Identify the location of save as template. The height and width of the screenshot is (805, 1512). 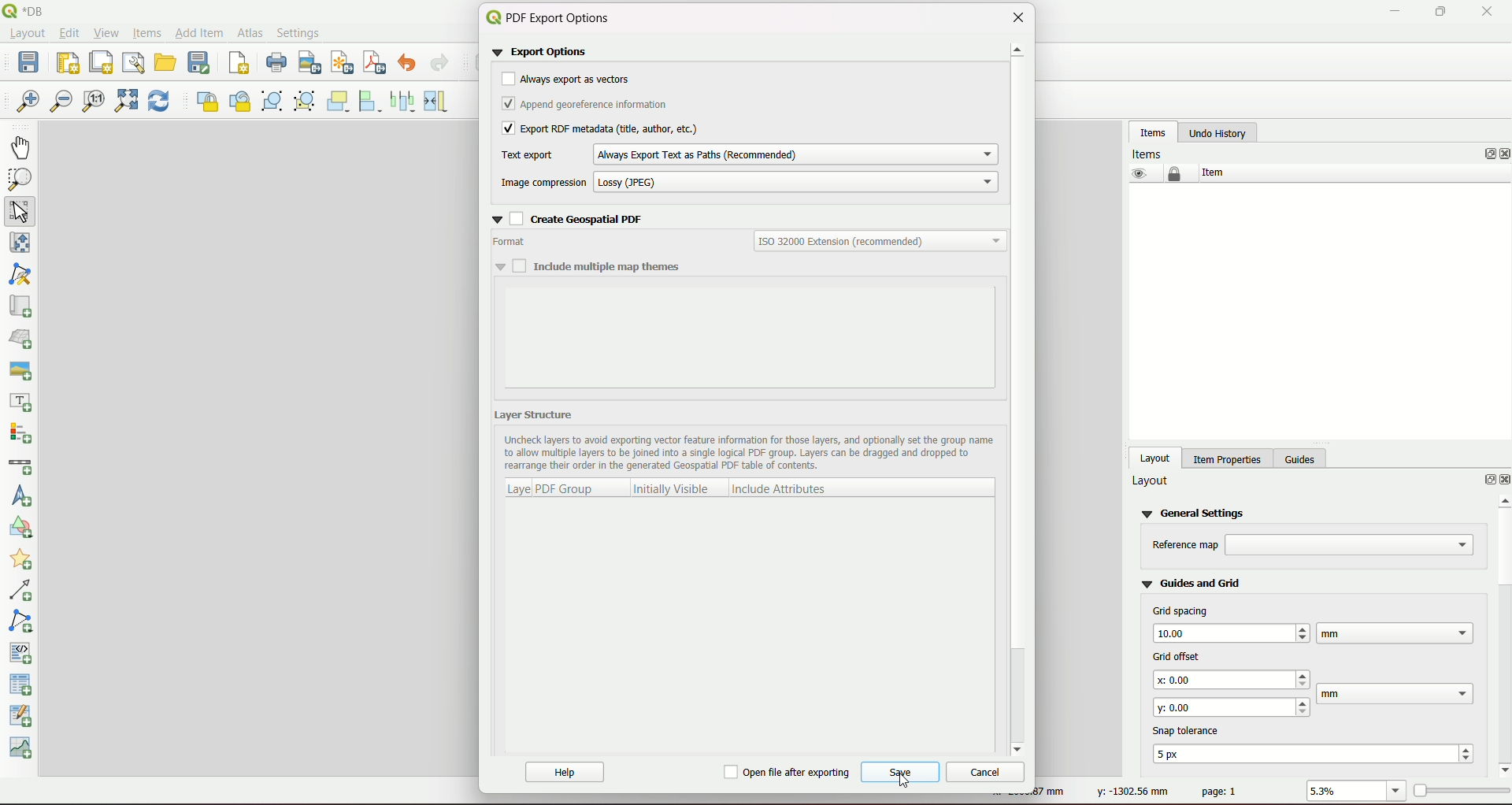
(200, 63).